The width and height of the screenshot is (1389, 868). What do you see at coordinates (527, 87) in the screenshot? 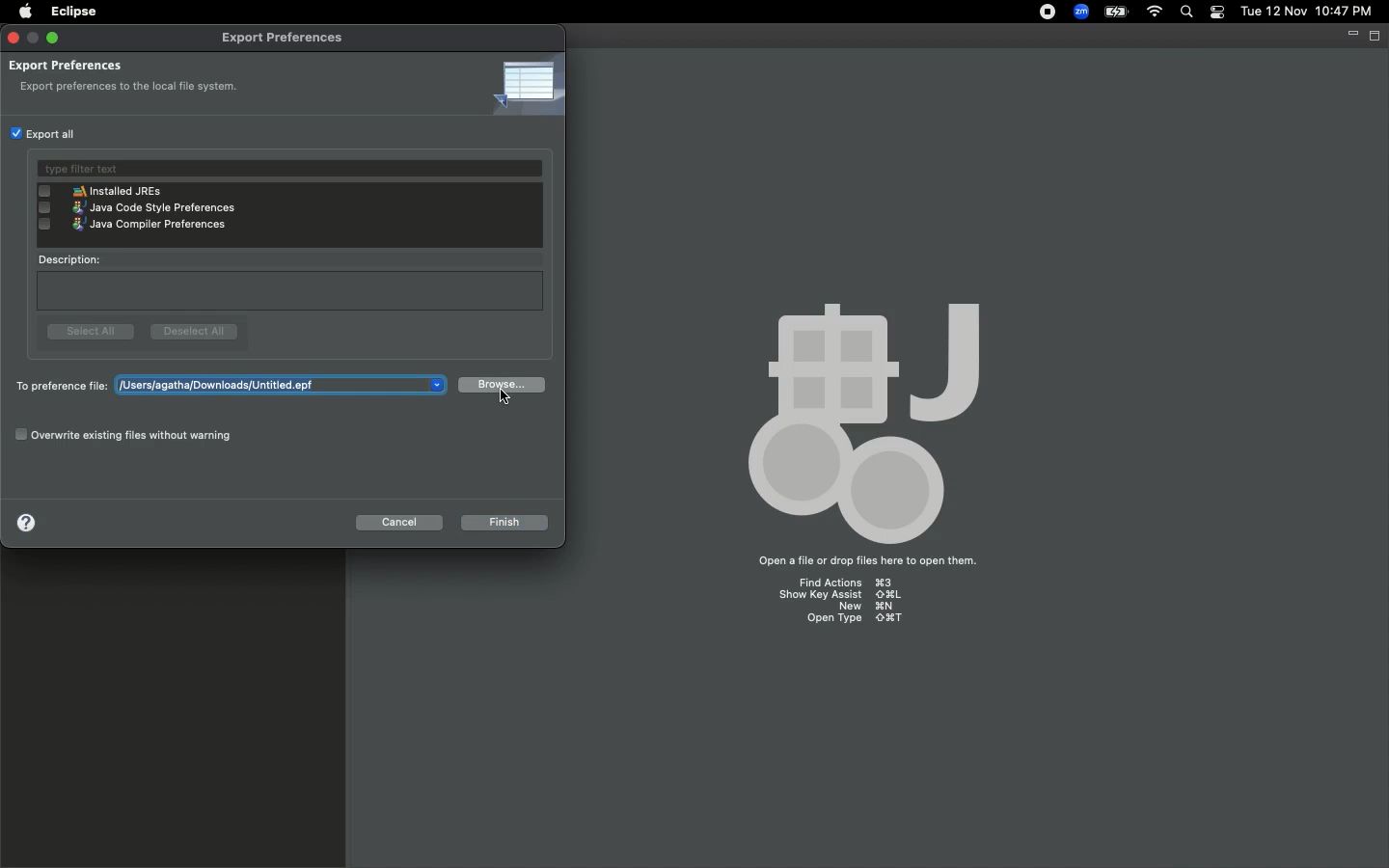
I see `Icon` at bounding box center [527, 87].